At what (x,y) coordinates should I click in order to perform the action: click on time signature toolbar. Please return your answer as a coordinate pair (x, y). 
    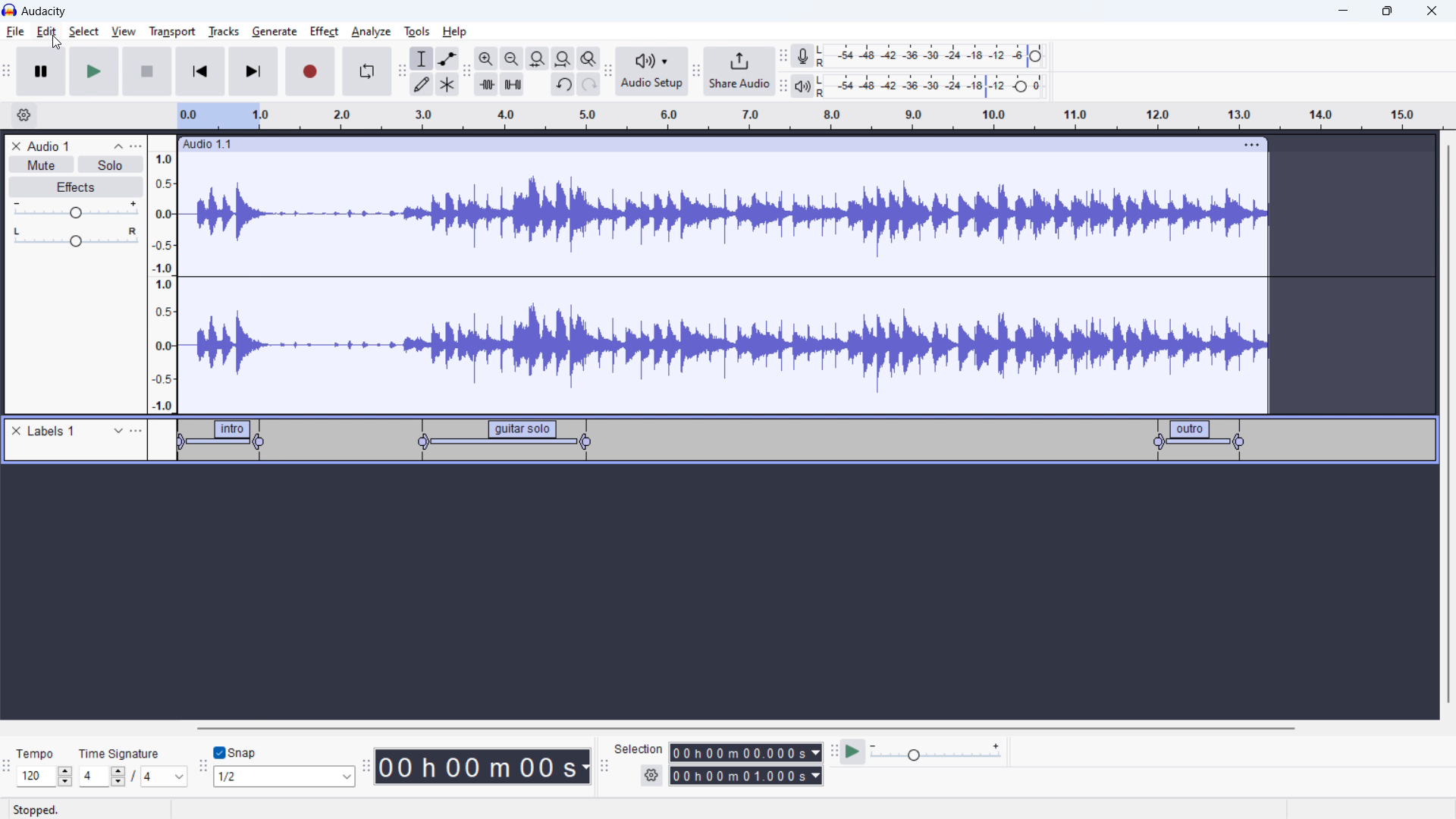
    Looking at the image, I should click on (6, 769).